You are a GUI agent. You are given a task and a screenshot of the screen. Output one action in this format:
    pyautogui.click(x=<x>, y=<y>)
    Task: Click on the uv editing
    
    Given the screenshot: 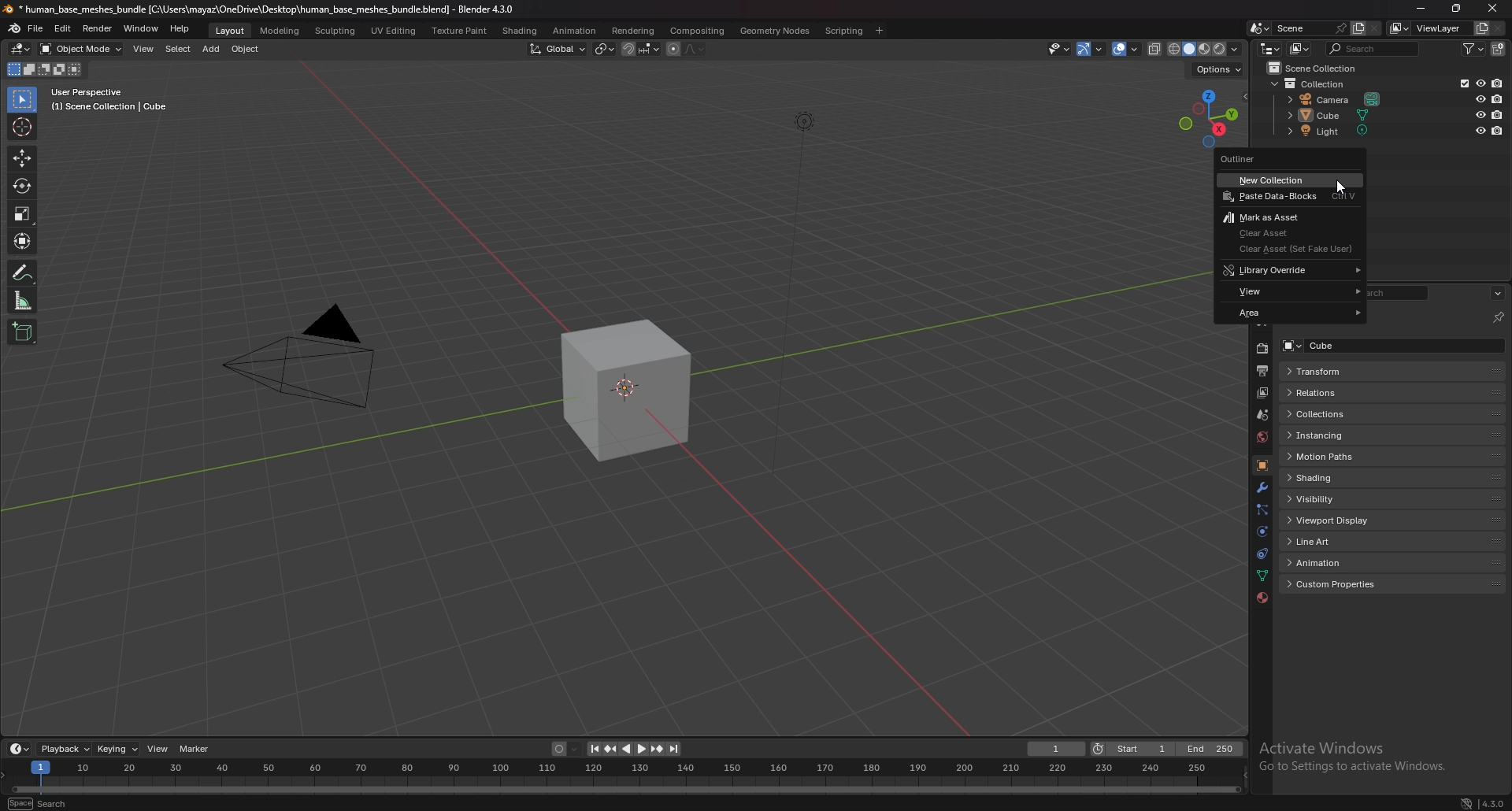 What is the action you would take?
    pyautogui.click(x=393, y=30)
    